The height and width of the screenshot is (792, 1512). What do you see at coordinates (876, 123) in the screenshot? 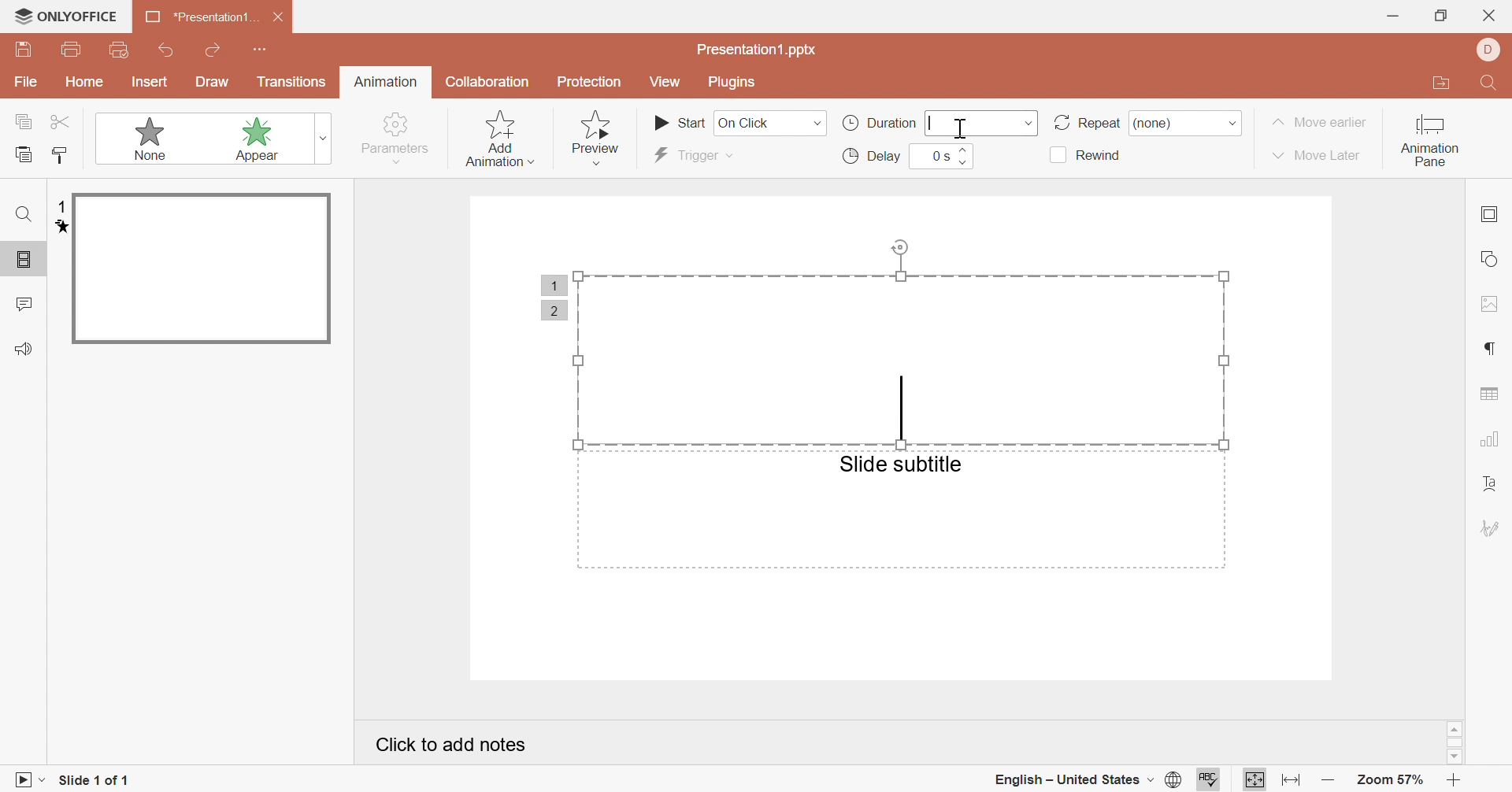
I see `duration` at bounding box center [876, 123].